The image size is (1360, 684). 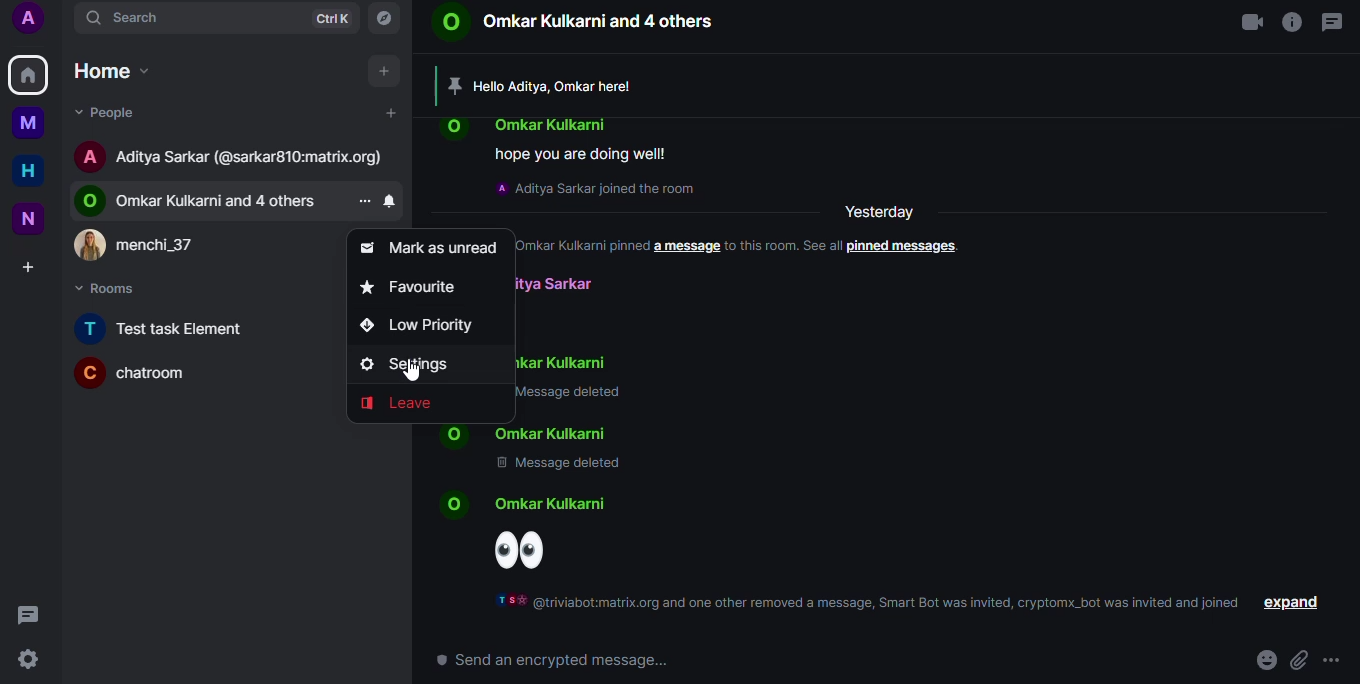 What do you see at coordinates (553, 661) in the screenshot?
I see ` Send an encrypted message...` at bounding box center [553, 661].